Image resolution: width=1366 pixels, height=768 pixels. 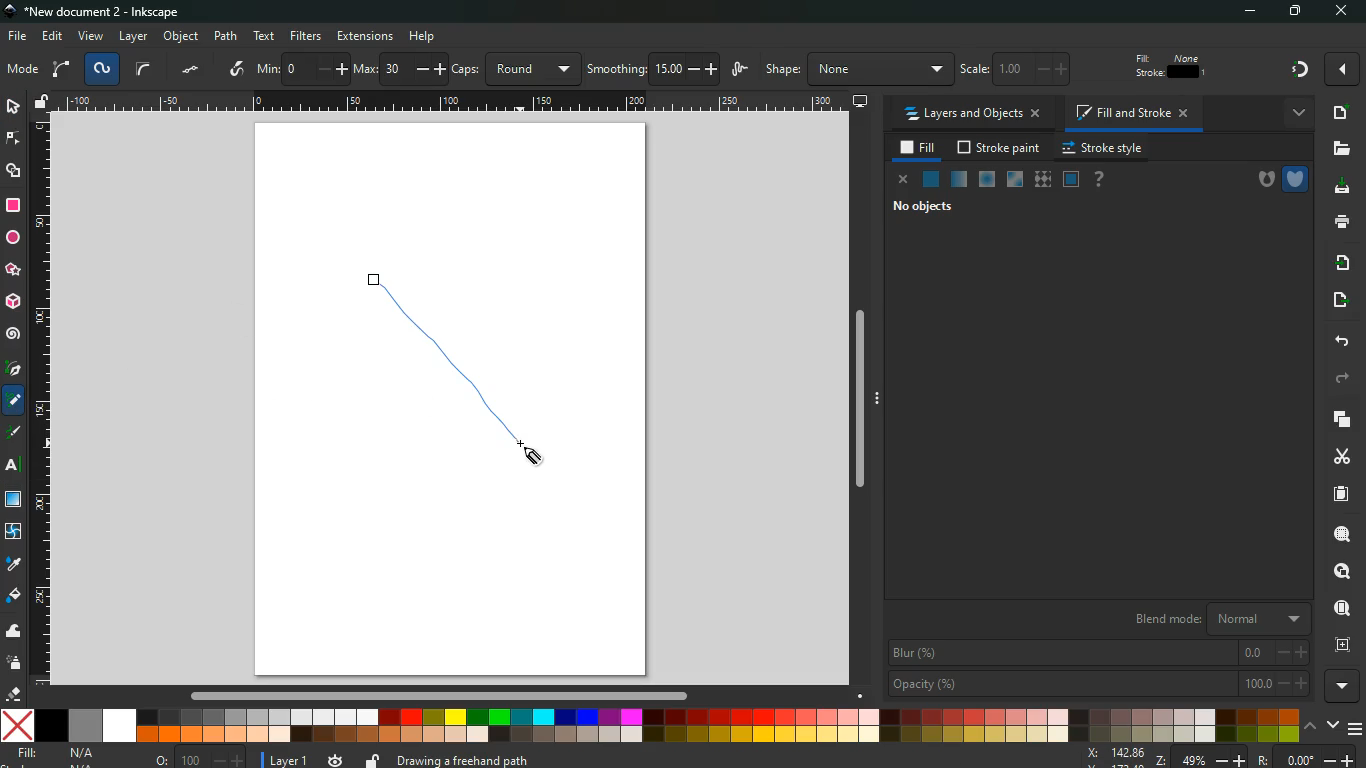 I want to click on drop, so click(x=15, y=567).